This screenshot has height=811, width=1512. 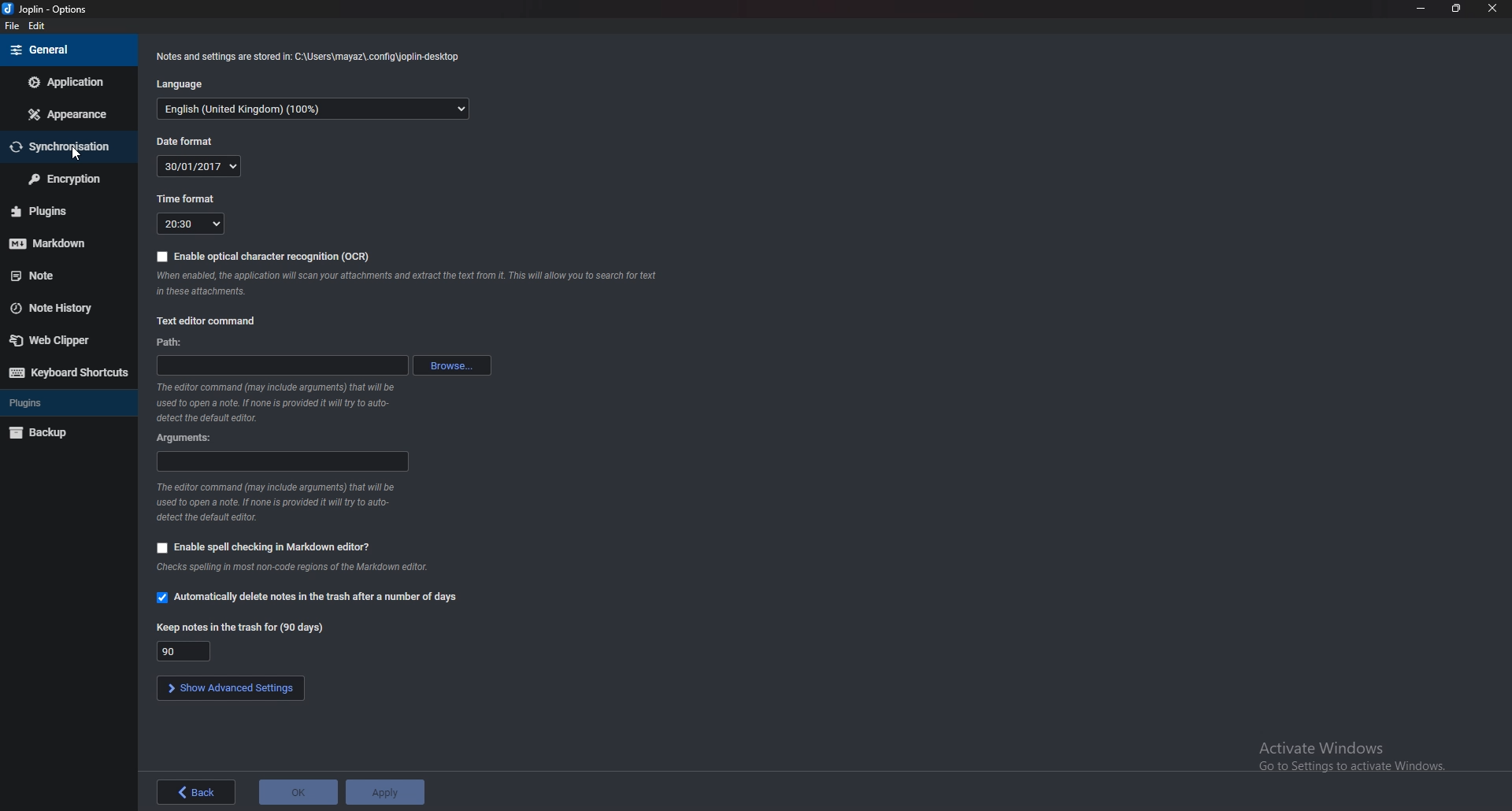 What do you see at coordinates (1455, 9) in the screenshot?
I see `resize` at bounding box center [1455, 9].